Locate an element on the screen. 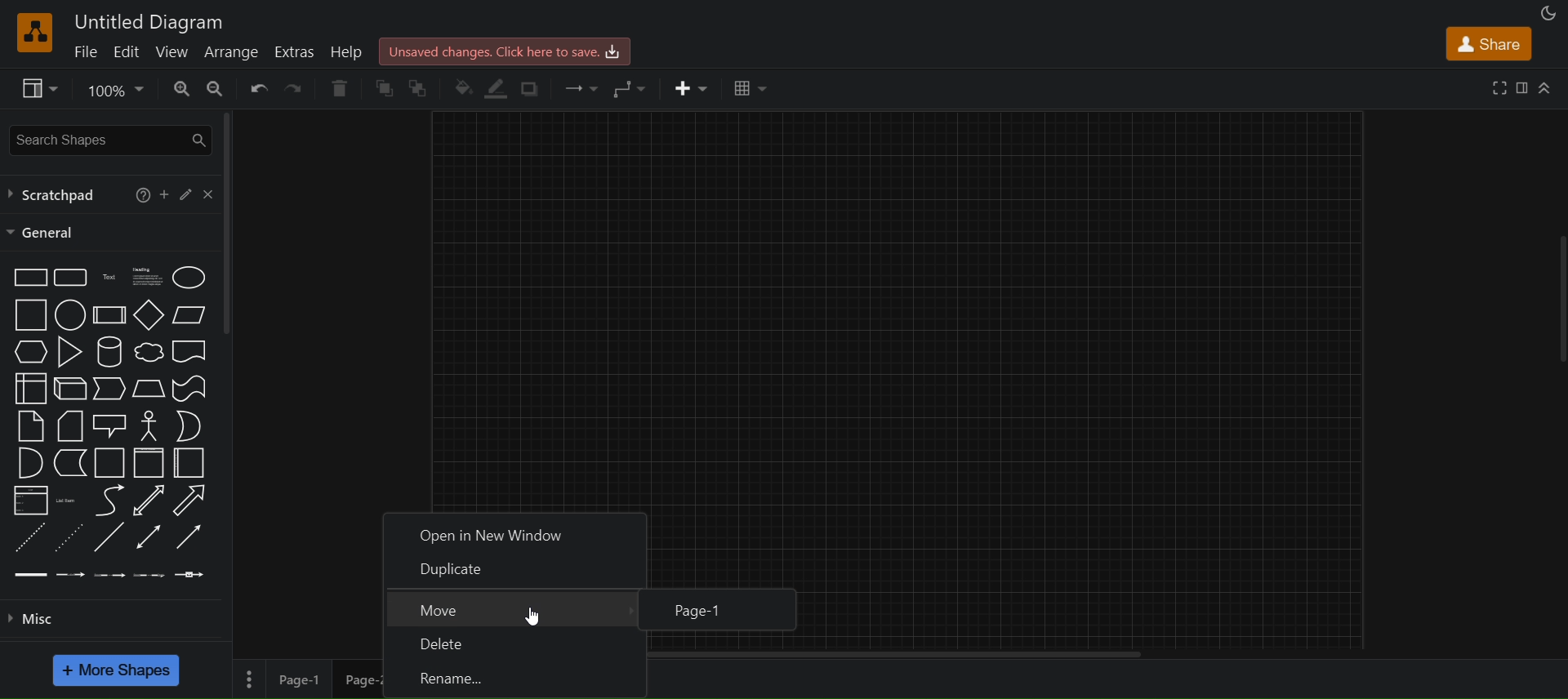 Image resolution: width=1568 pixels, height=699 pixels. connector with 3 labels is located at coordinates (147, 574).